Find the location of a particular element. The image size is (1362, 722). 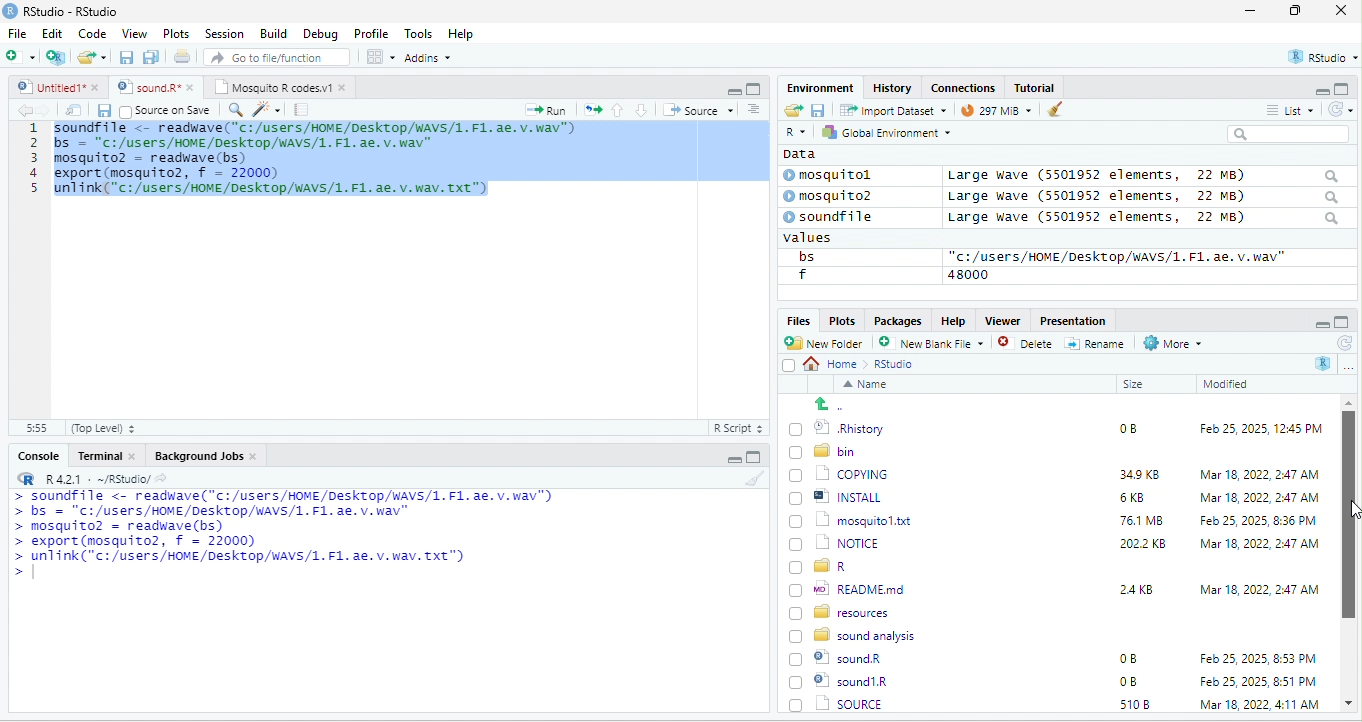

R Script 5 is located at coordinates (739, 428).